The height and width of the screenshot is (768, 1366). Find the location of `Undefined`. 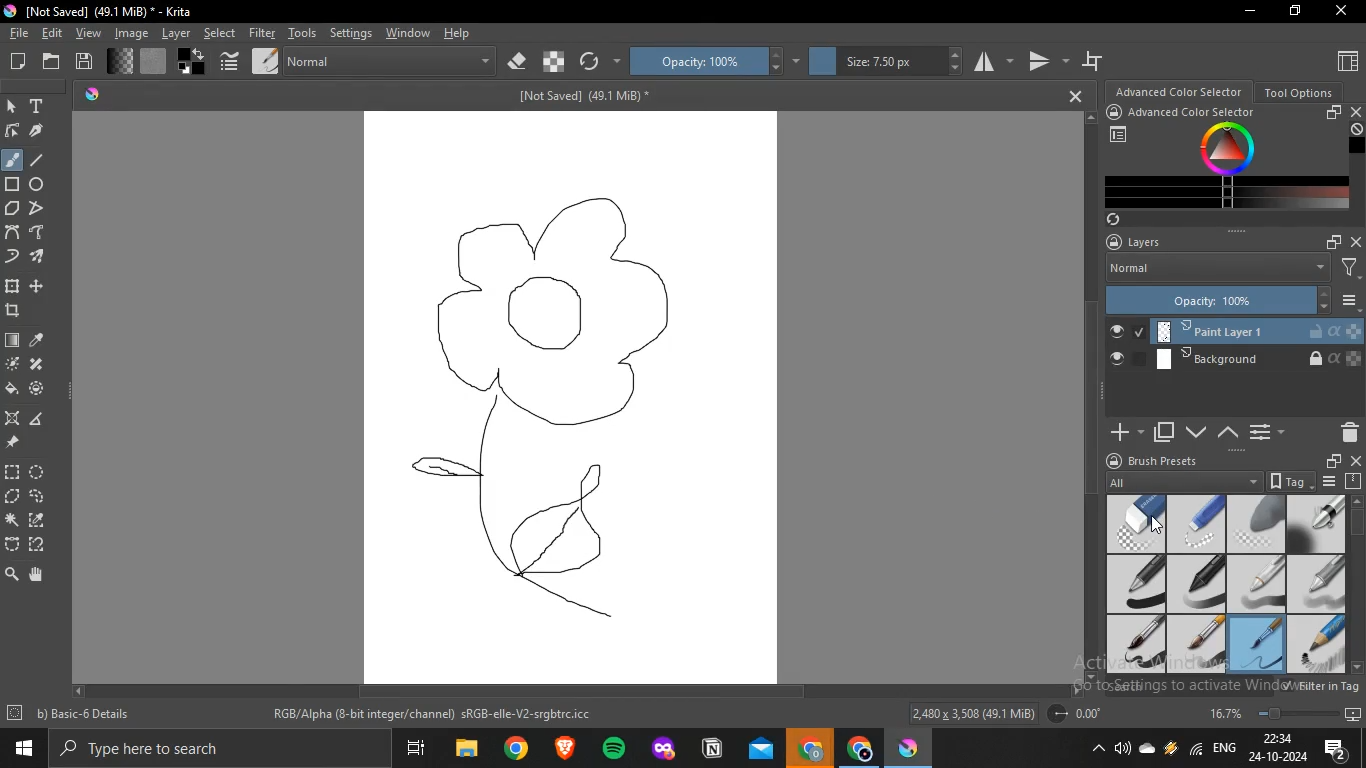

Undefined is located at coordinates (1357, 130).